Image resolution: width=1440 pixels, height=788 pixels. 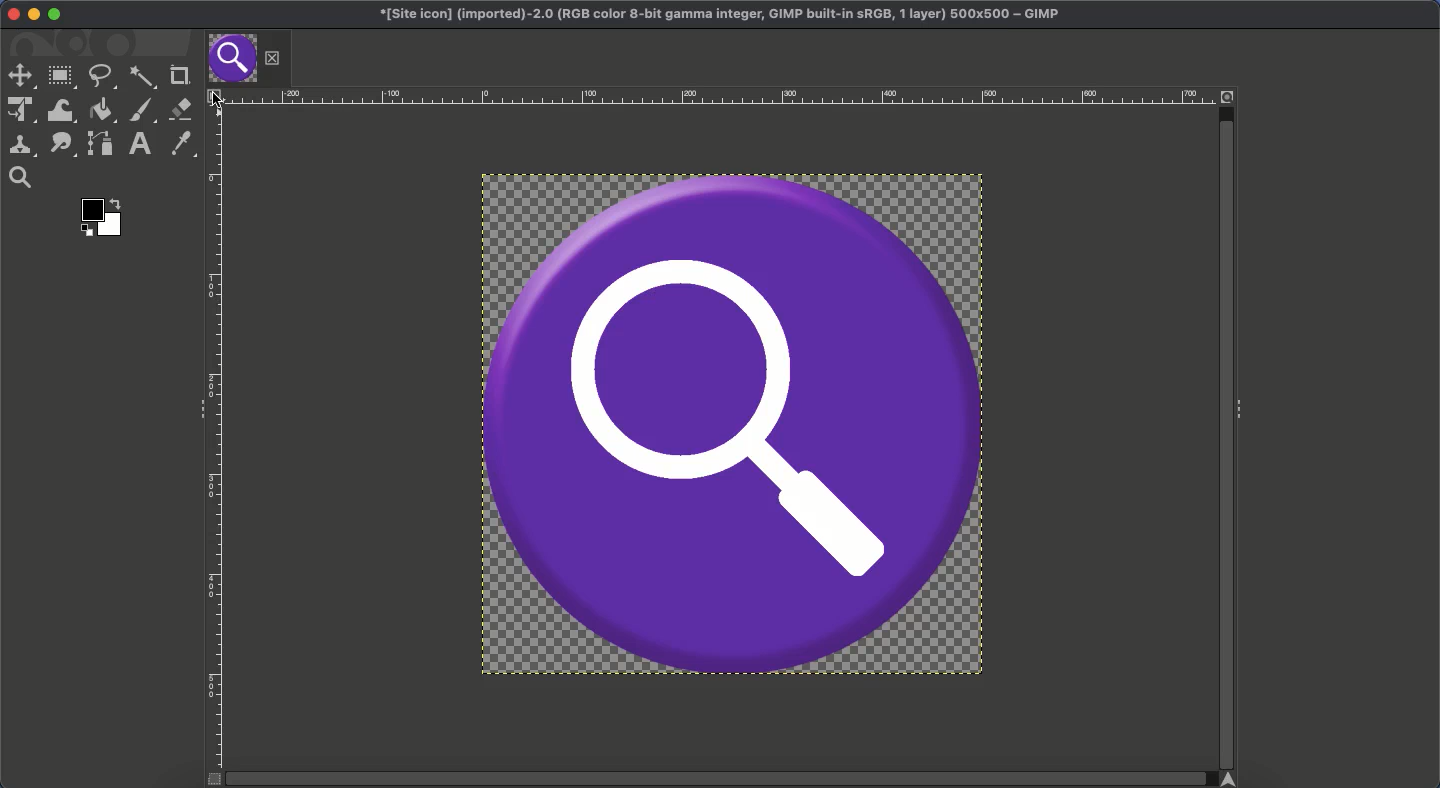 I want to click on Scroll, so click(x=1225, y=428).